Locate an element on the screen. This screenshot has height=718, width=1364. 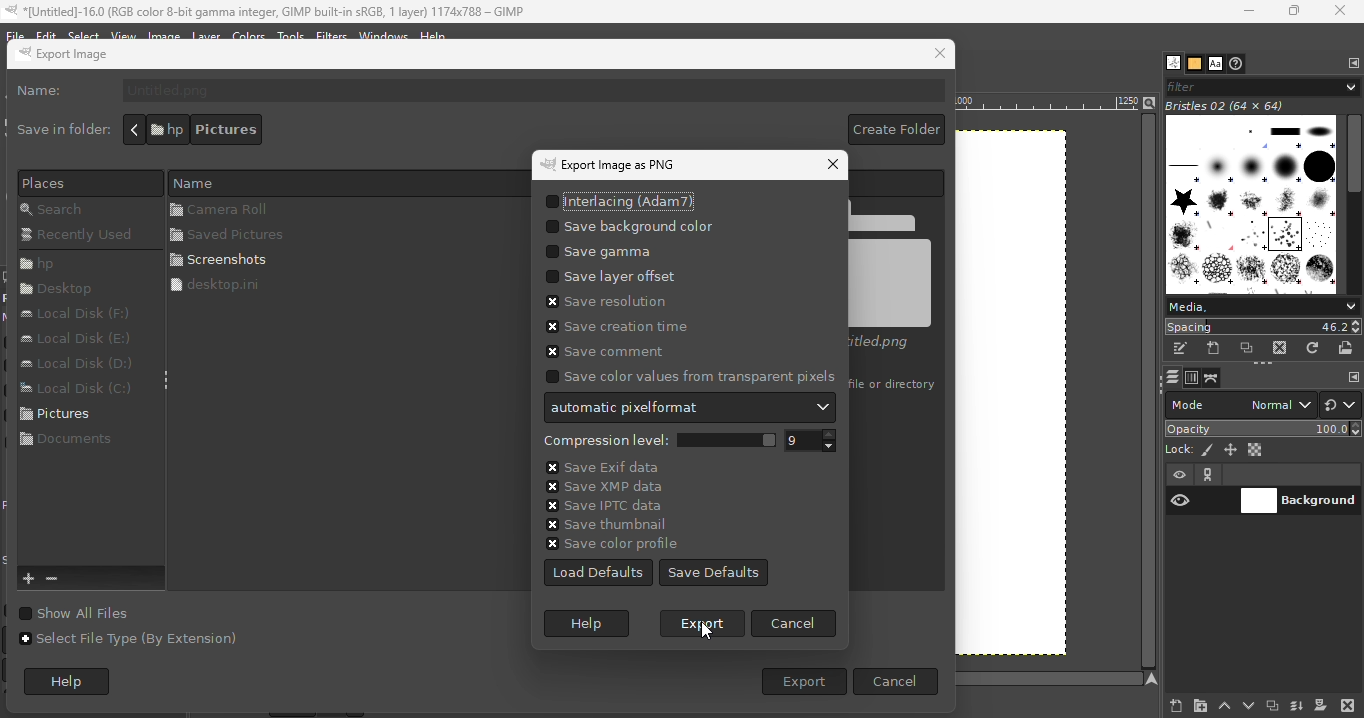
Pictures is located at coordinates (69, 418).